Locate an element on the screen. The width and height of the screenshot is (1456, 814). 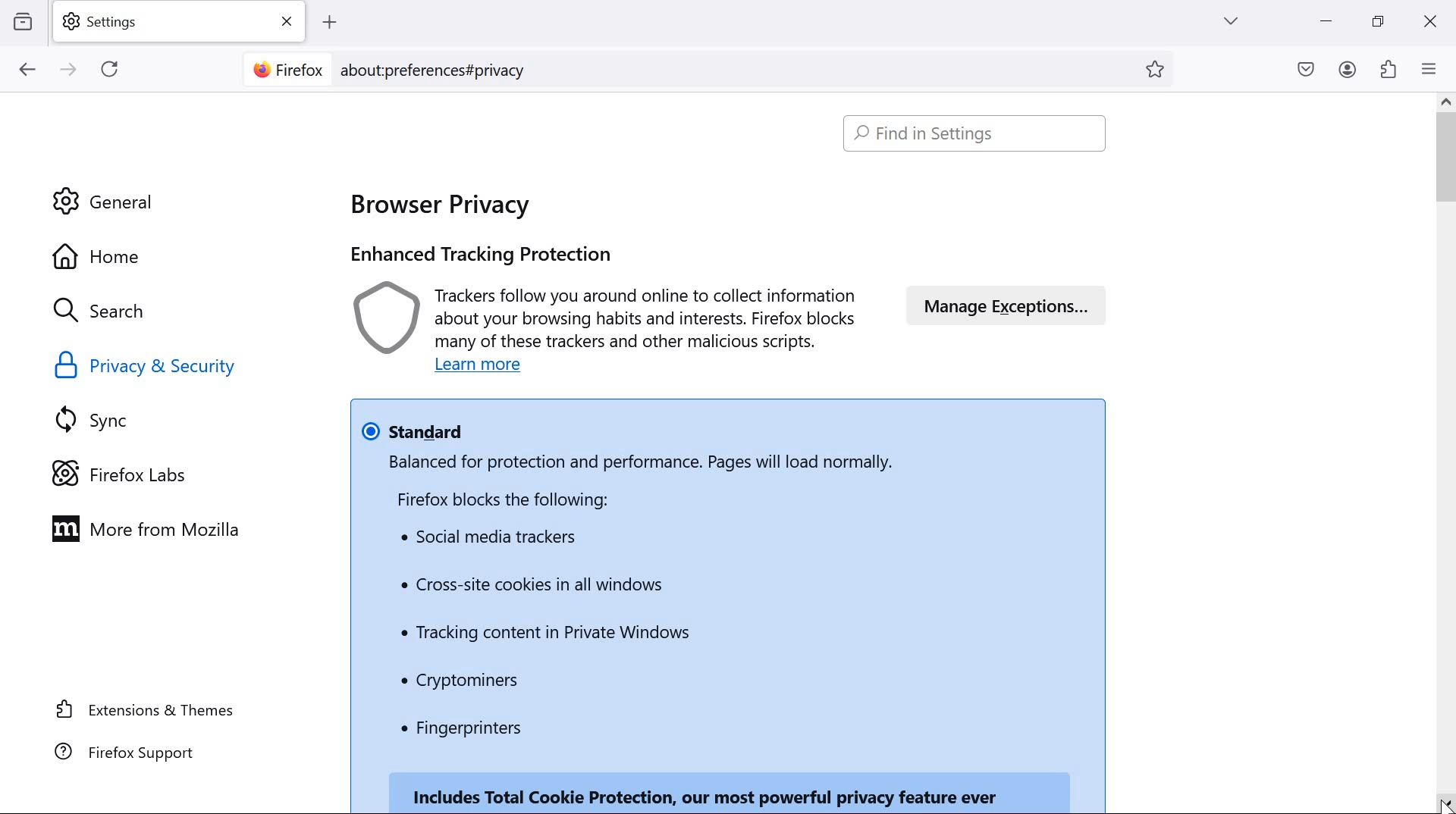
Firefox Labs is located at coordinates (132, 472).